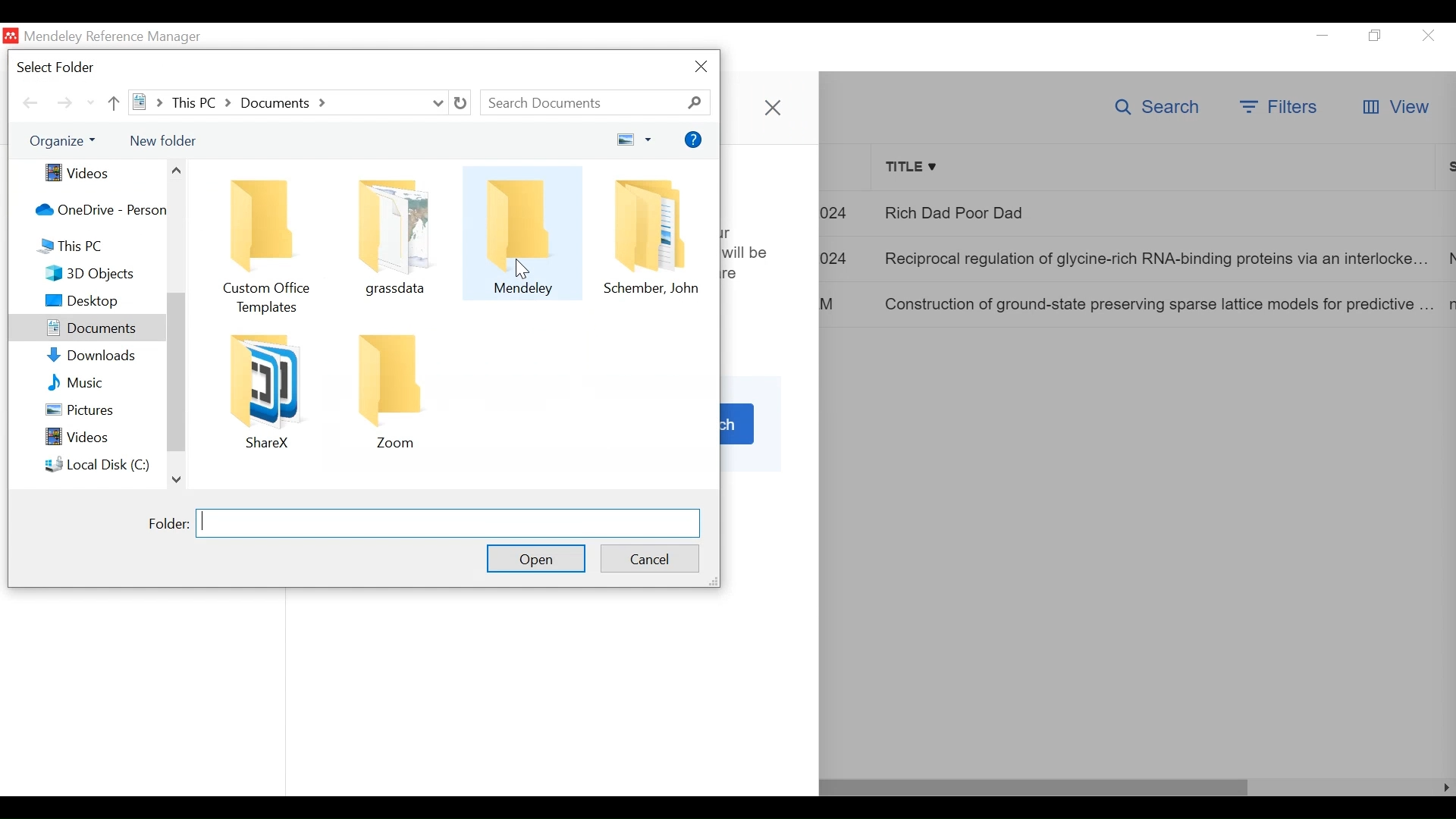 Image resolution: width=1456 pixels, height=819 pixels. Describe the element at coordinates (99, 173) in the screenshot. I see `Videos` at that location.